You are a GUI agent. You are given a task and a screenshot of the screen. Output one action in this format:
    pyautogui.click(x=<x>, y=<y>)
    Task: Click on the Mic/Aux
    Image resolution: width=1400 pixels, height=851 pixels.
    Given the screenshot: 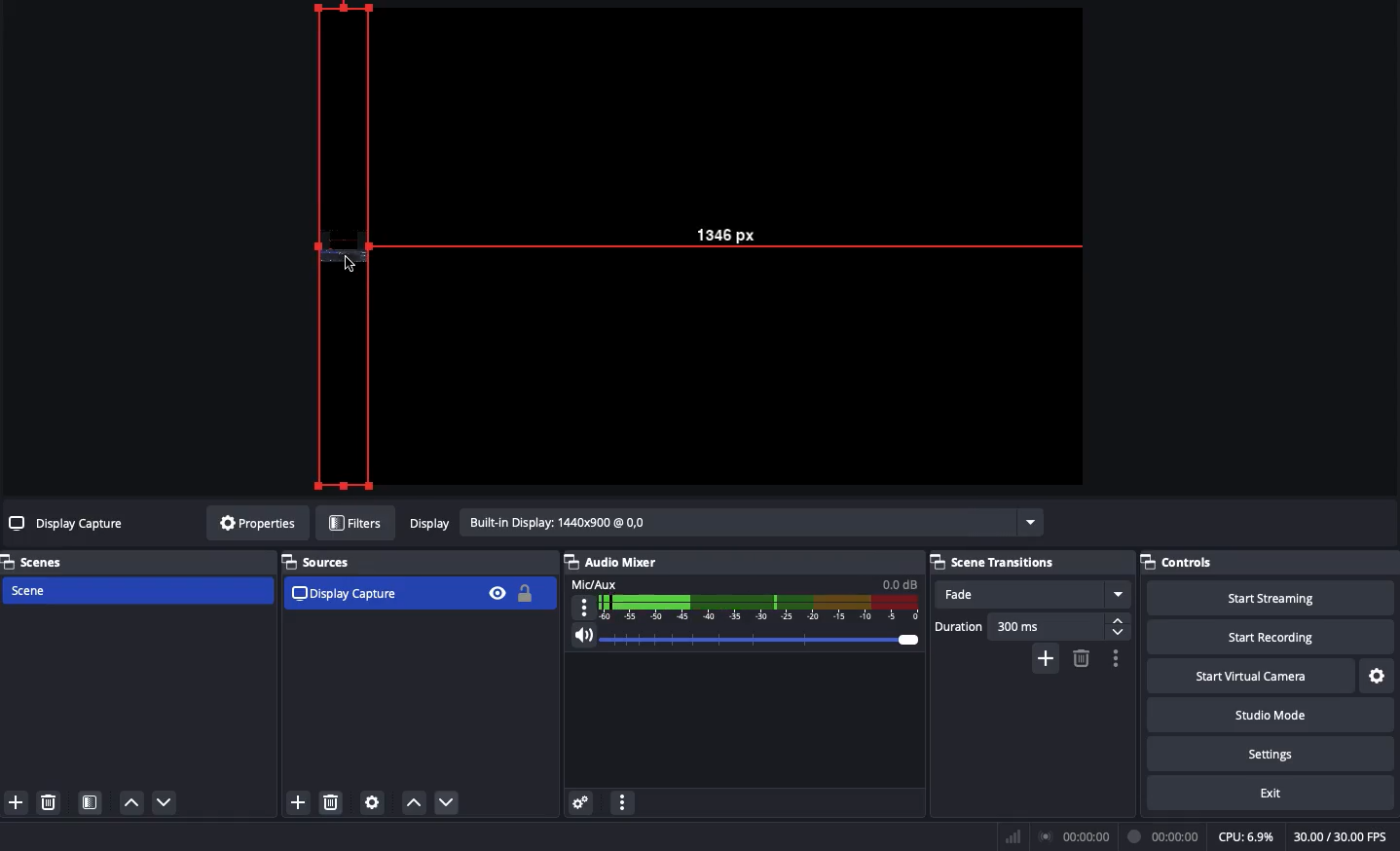 What is the action you would take?
    pyautogui.click(x=742, y=598)
    